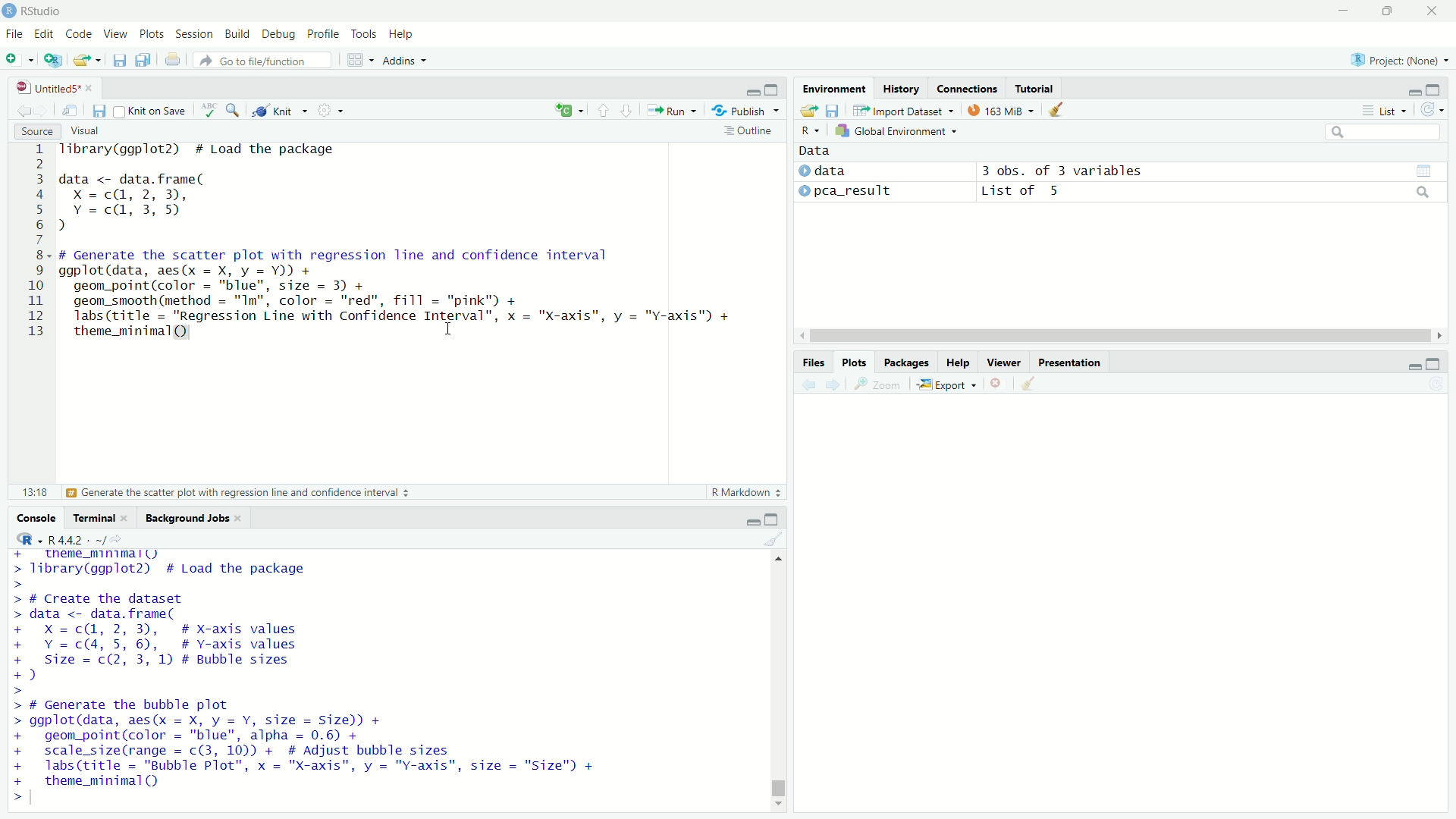 Image resolution: width=1456 pixels, height=819 pixels. Describe the element at coordinates (745, 492) in the screenshot. I see `R Markdown` at that location.